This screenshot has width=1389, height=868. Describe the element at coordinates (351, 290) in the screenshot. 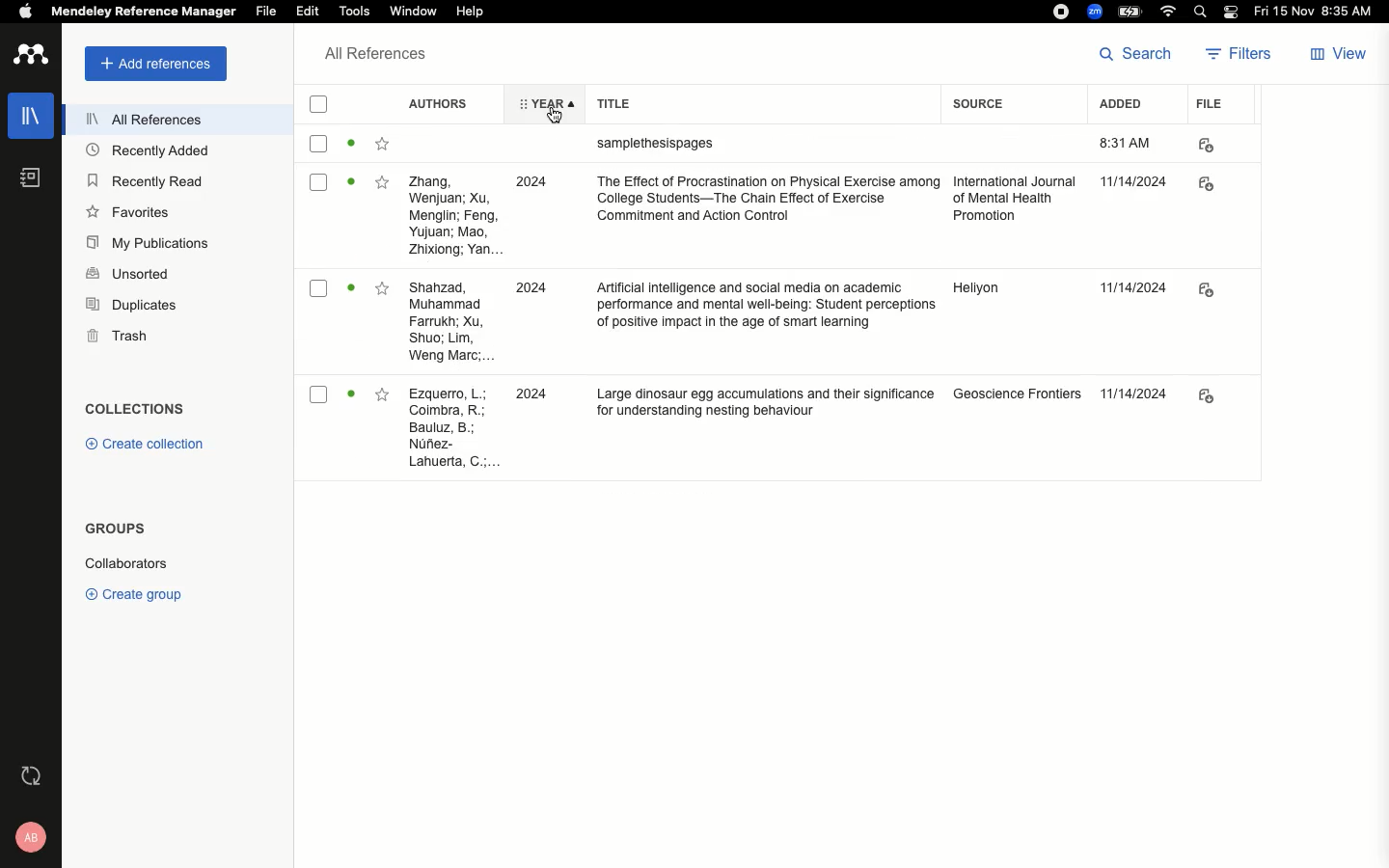

I see `view status` at that location.